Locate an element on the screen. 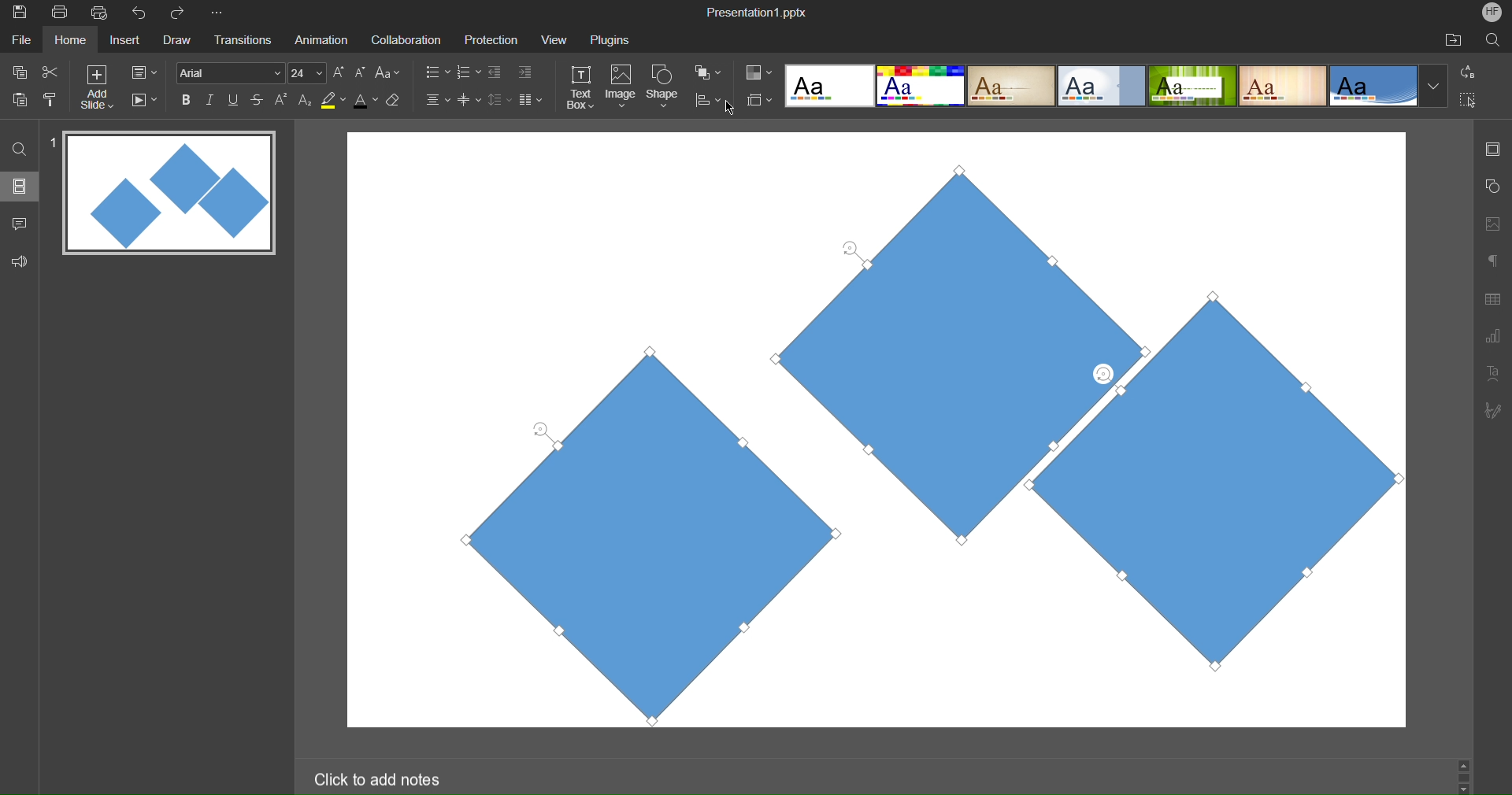  Protection is located at coordinates (484, 39).